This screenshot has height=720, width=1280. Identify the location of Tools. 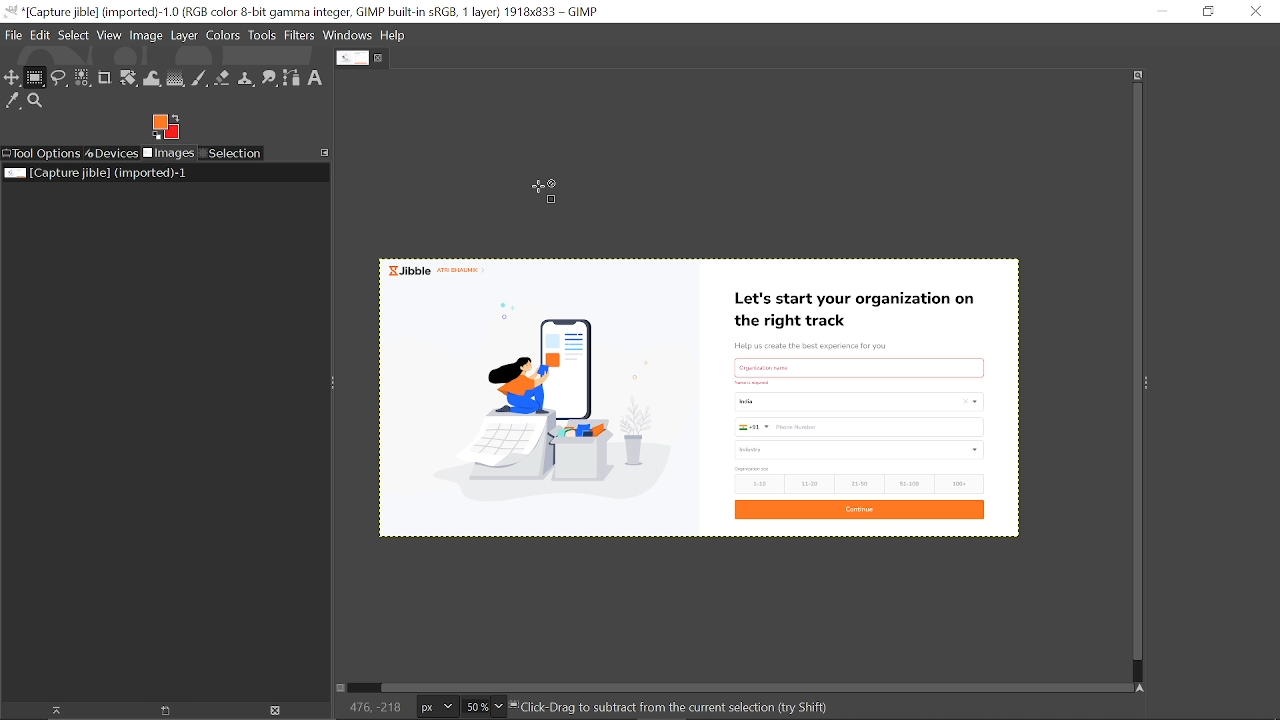
(263, 35).